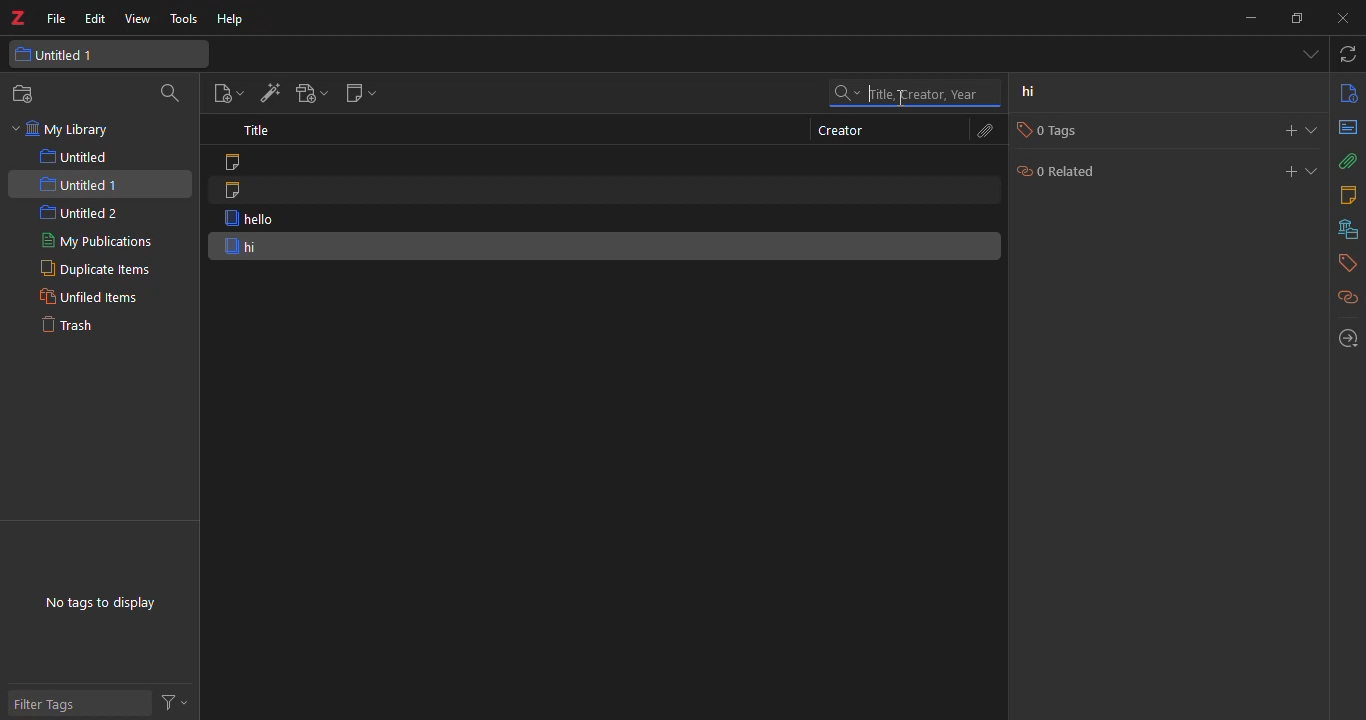 The height and width of the screenshot is (720, 1366). Describe the element at coordinates (1342, 231) in the screenshot. I see `library` at that location.